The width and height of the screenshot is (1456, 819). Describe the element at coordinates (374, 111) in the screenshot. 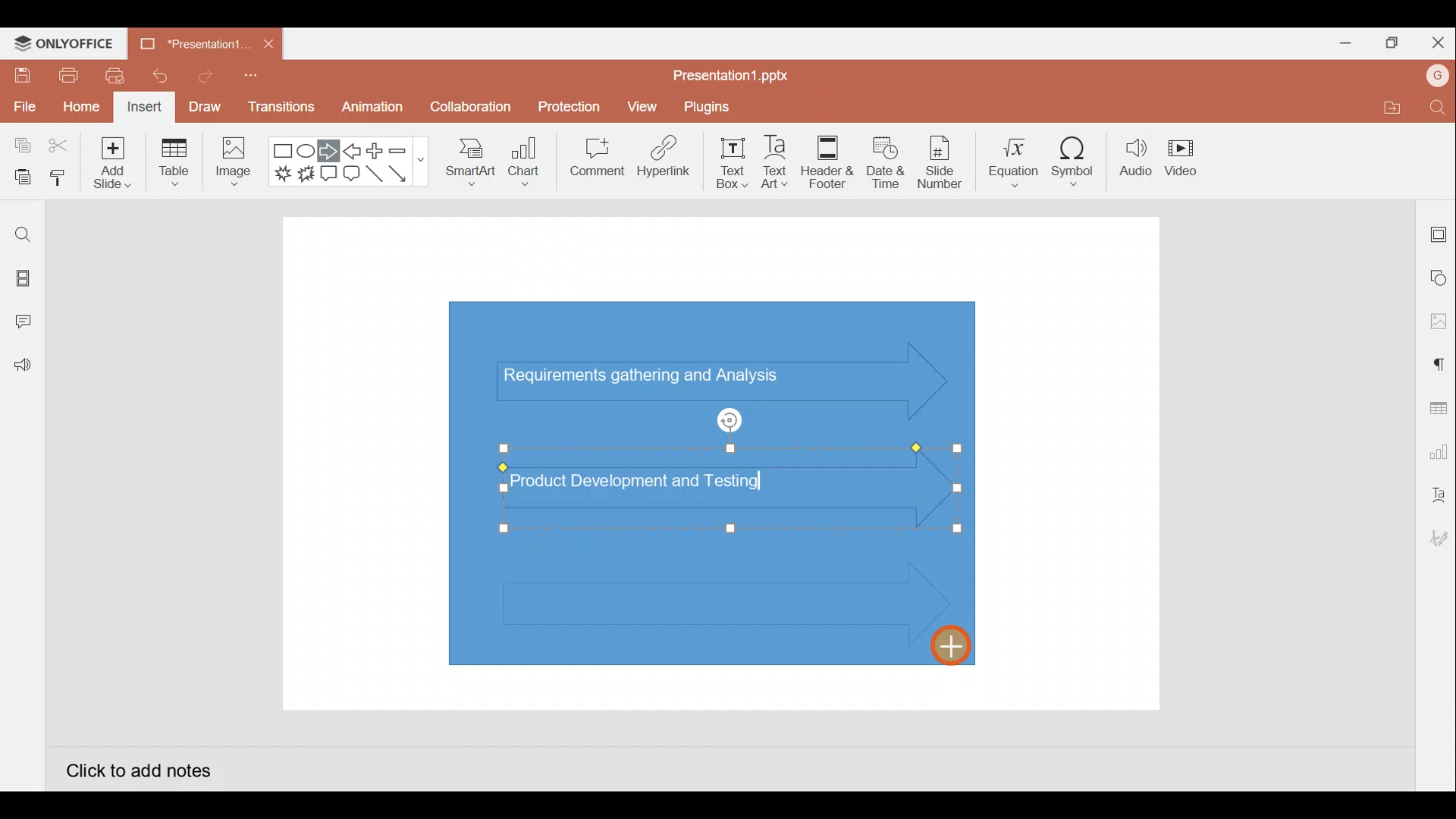

I see `Animation` at that location.